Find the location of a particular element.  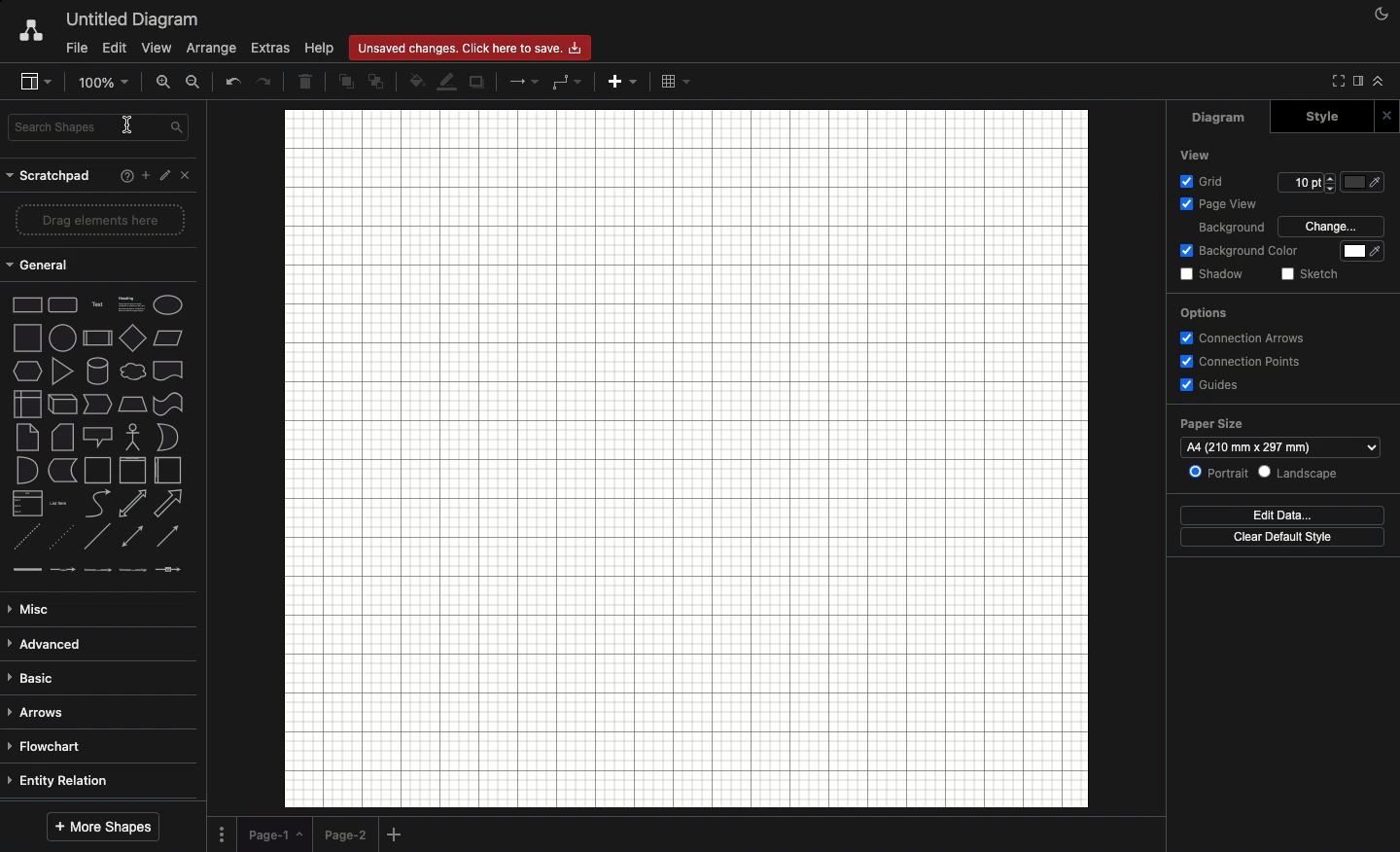

Paper size is located at coordinates (1279, 434).